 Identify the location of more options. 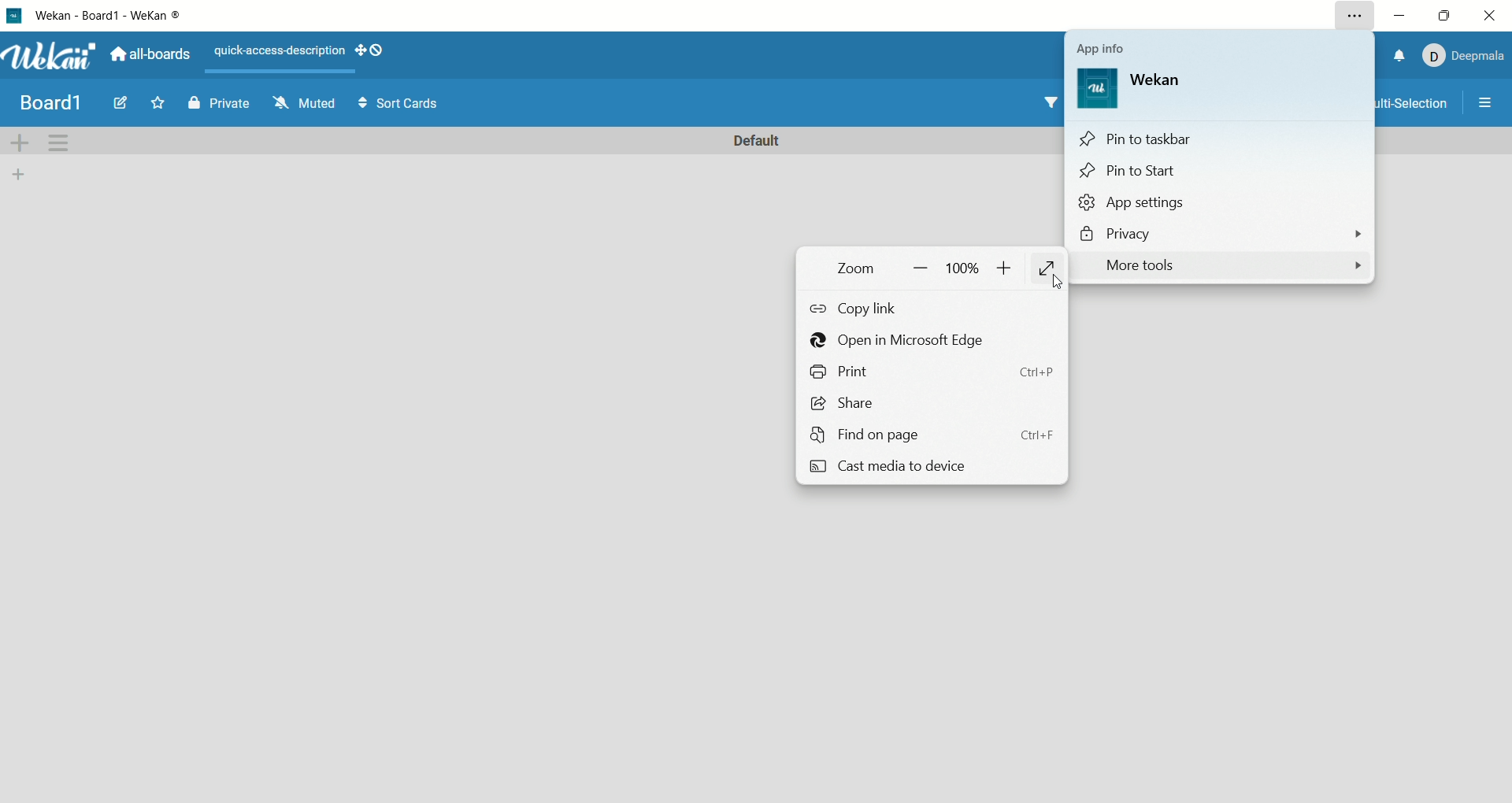
(1484, 106).